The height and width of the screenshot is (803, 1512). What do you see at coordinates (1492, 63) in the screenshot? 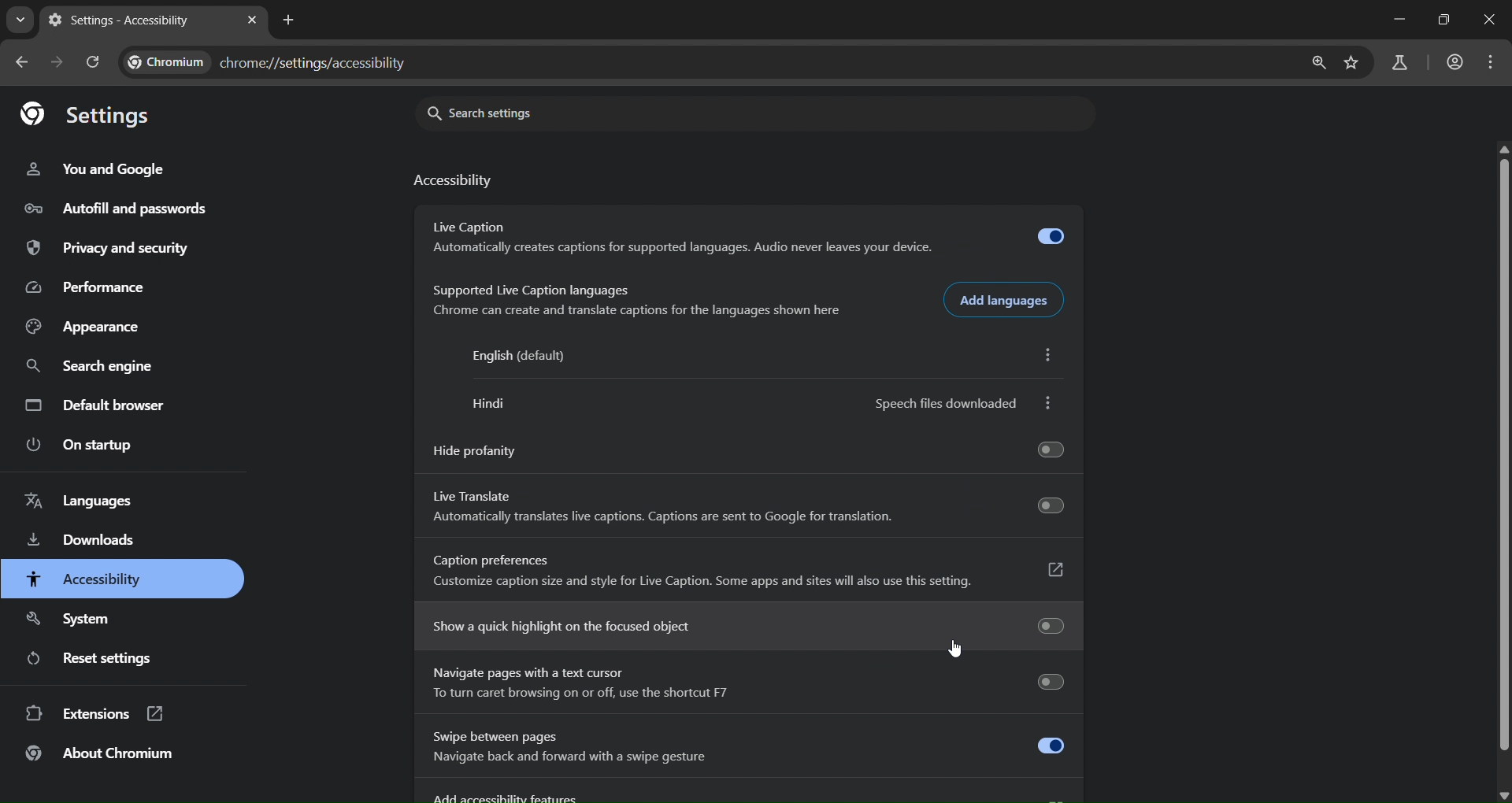
I see `menu` at bounding box center [1492, 63].